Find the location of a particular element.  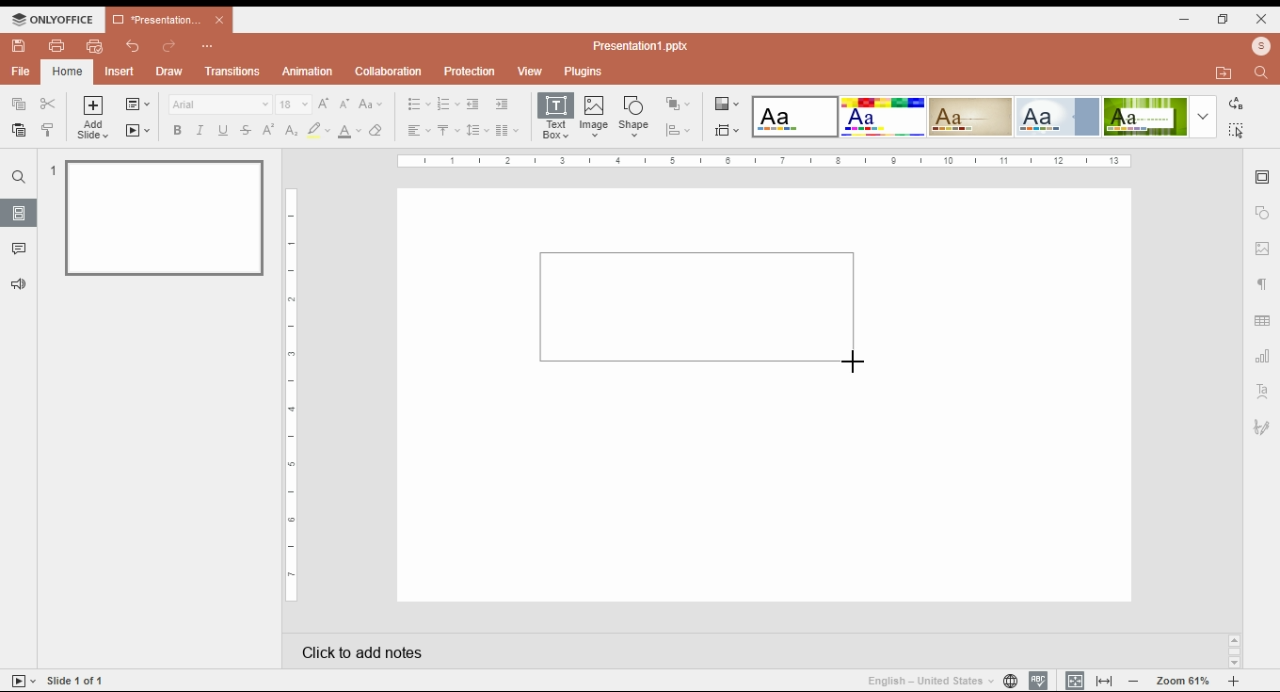

close window is located at coordinates (1260, 18).